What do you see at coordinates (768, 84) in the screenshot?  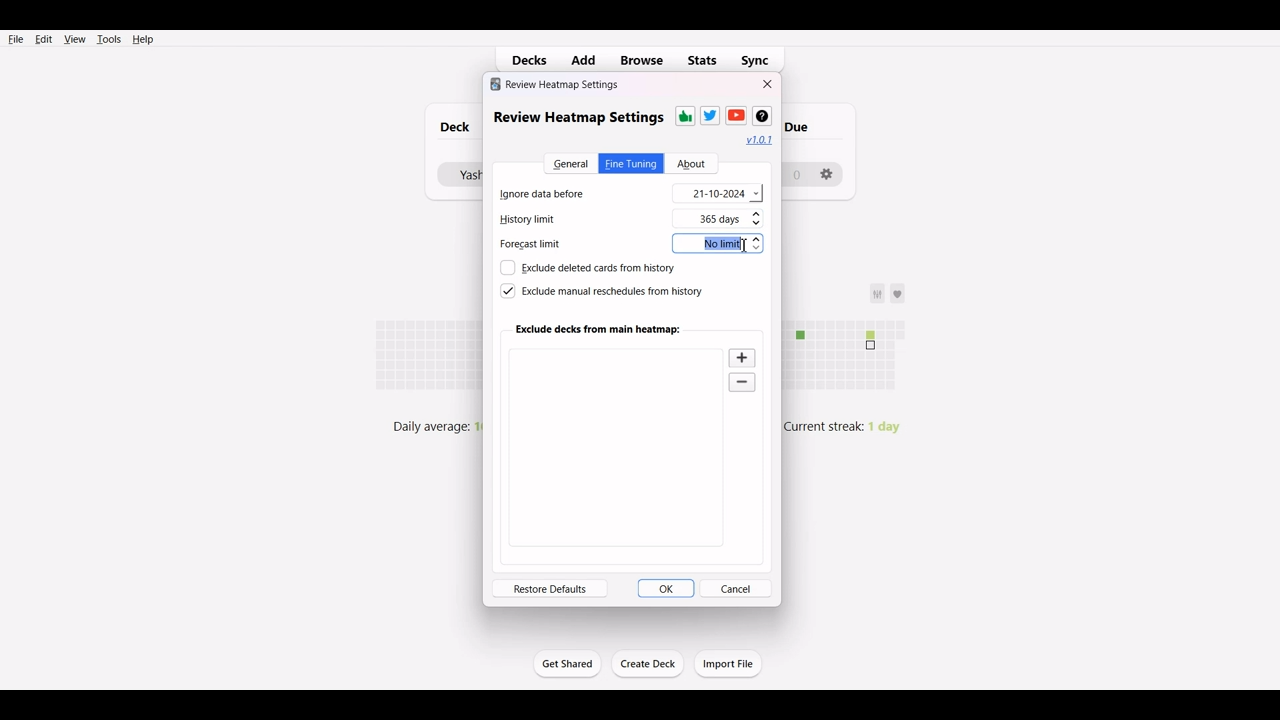 I see `Close` at bounding box center [768, 84].